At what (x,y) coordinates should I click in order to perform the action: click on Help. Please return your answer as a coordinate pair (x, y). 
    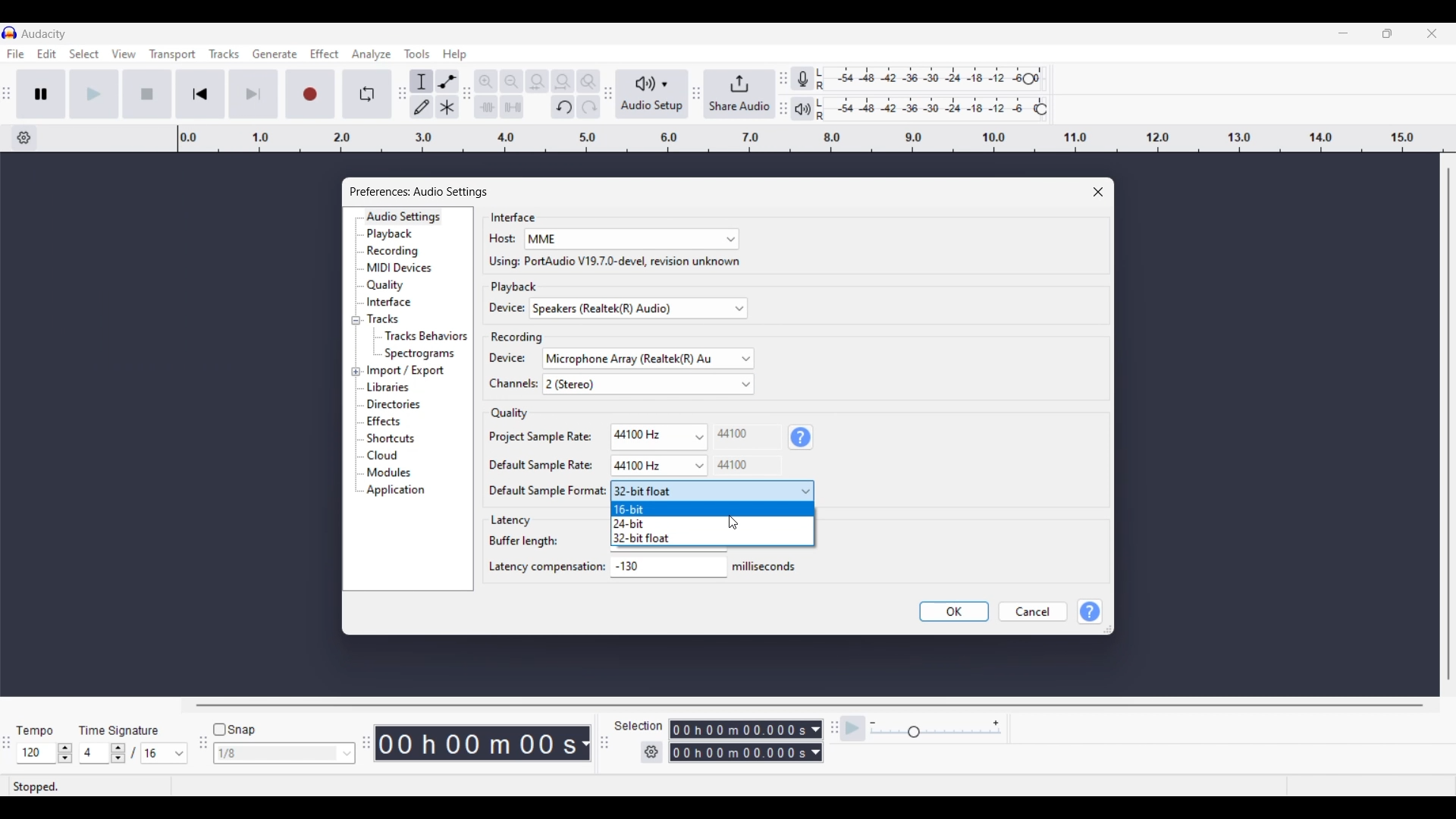
    Looking at the image, I should click on (1091, 612).